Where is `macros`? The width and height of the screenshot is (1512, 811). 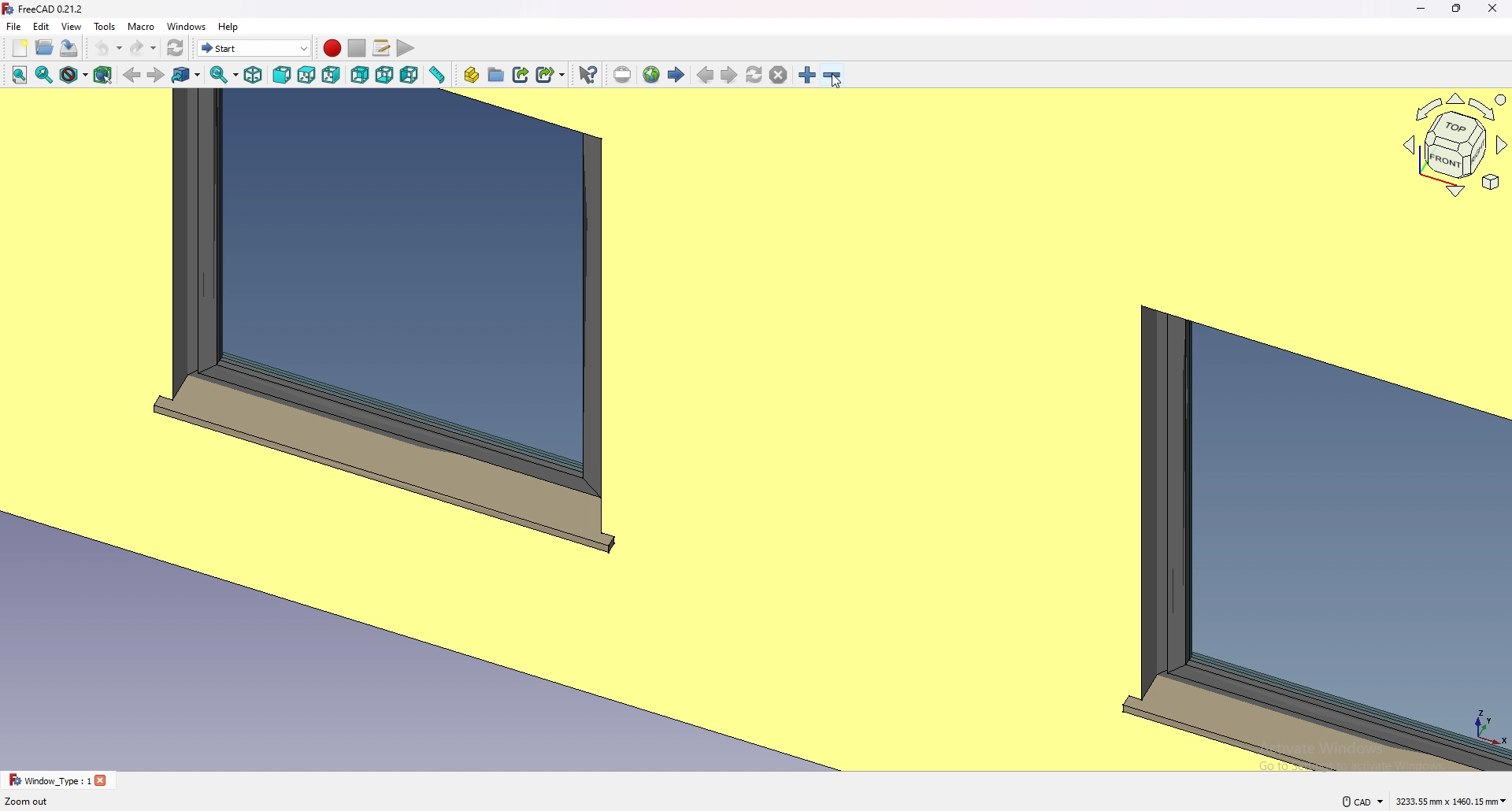 macros is located at coordinates (382, 46).